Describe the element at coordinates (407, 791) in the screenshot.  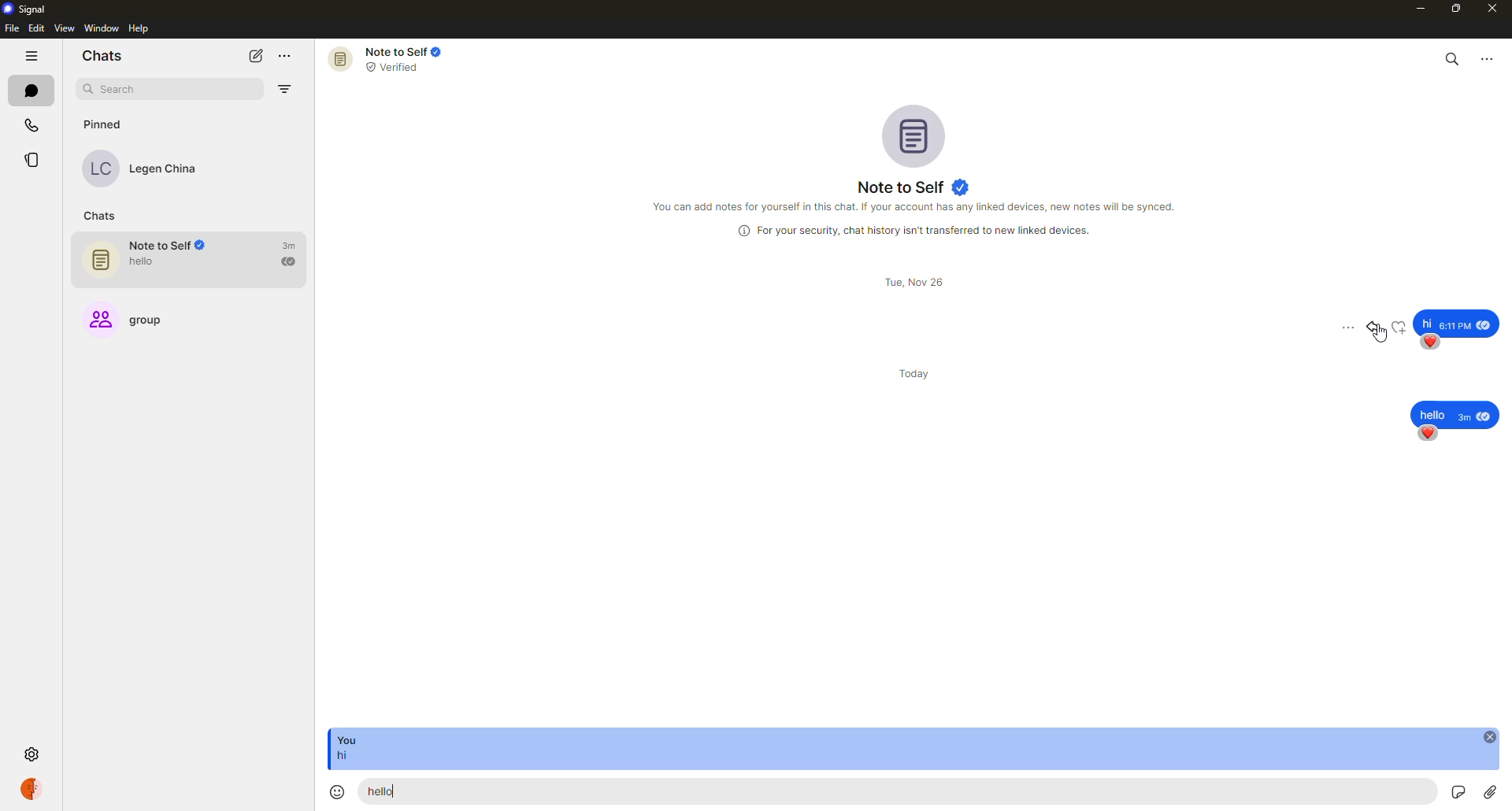
I see `hello` at that location.